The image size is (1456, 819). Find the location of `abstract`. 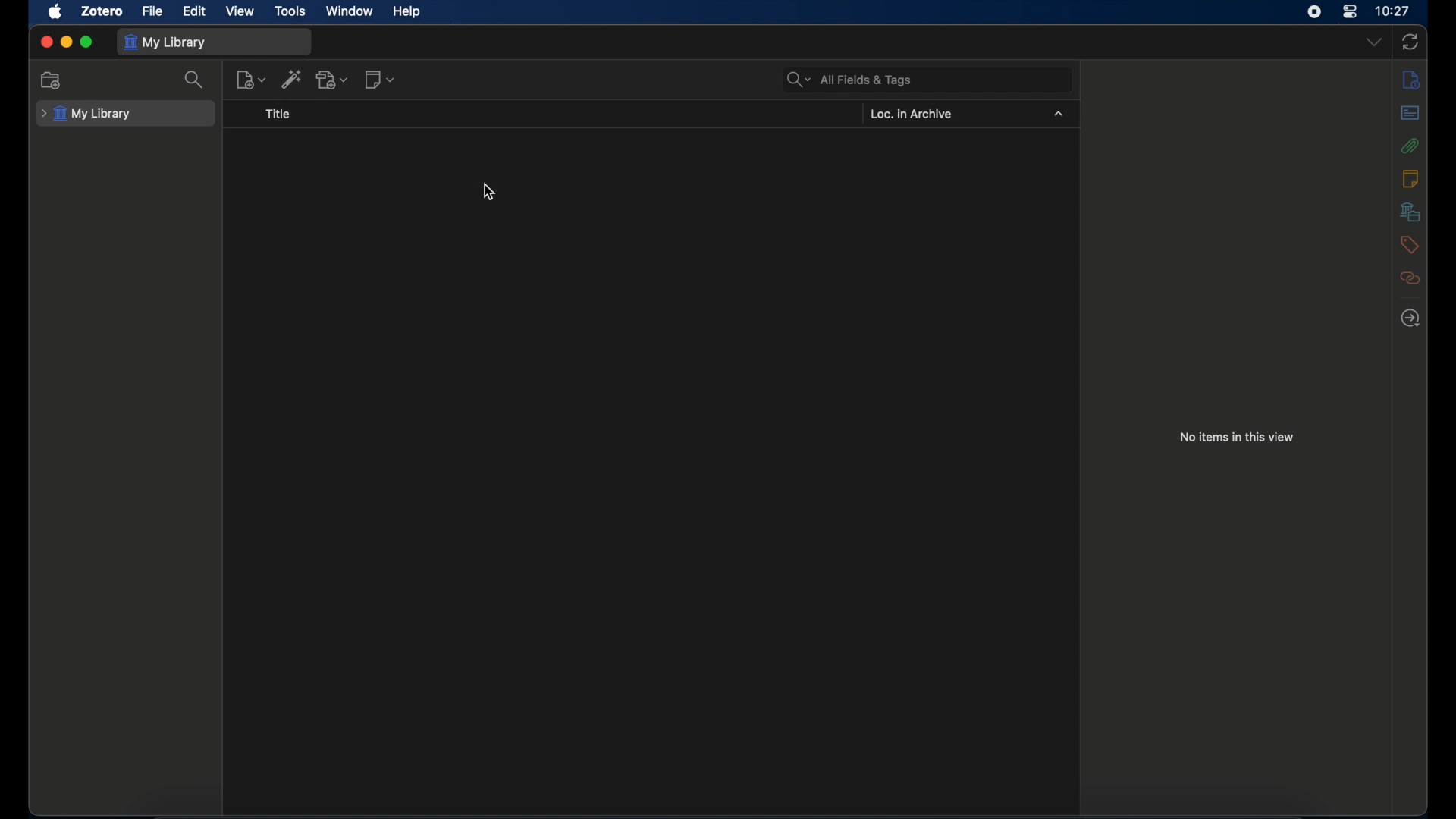

abstract is located at coordinates (1409, 112).